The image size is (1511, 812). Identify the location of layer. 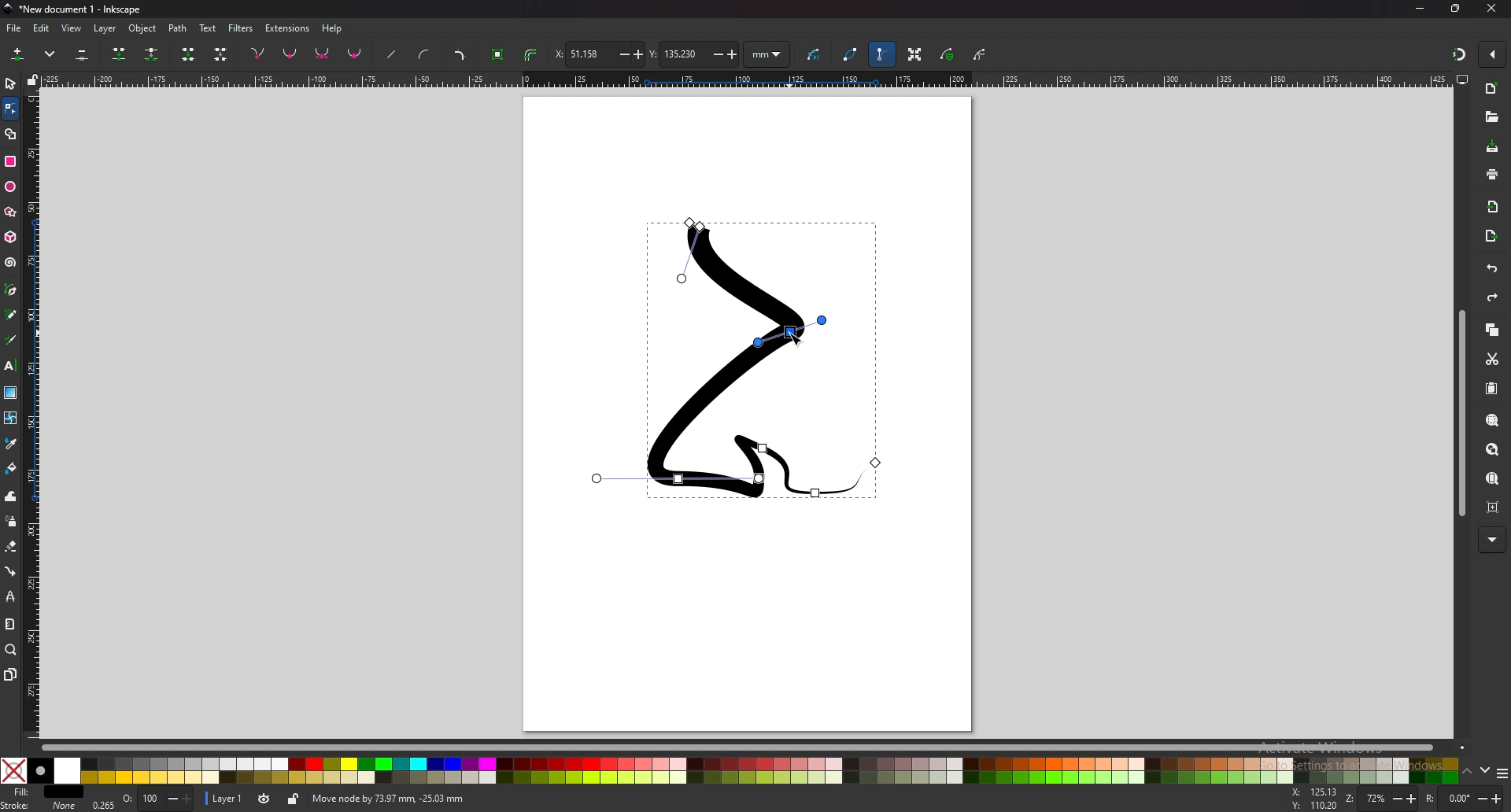
(225, 797).